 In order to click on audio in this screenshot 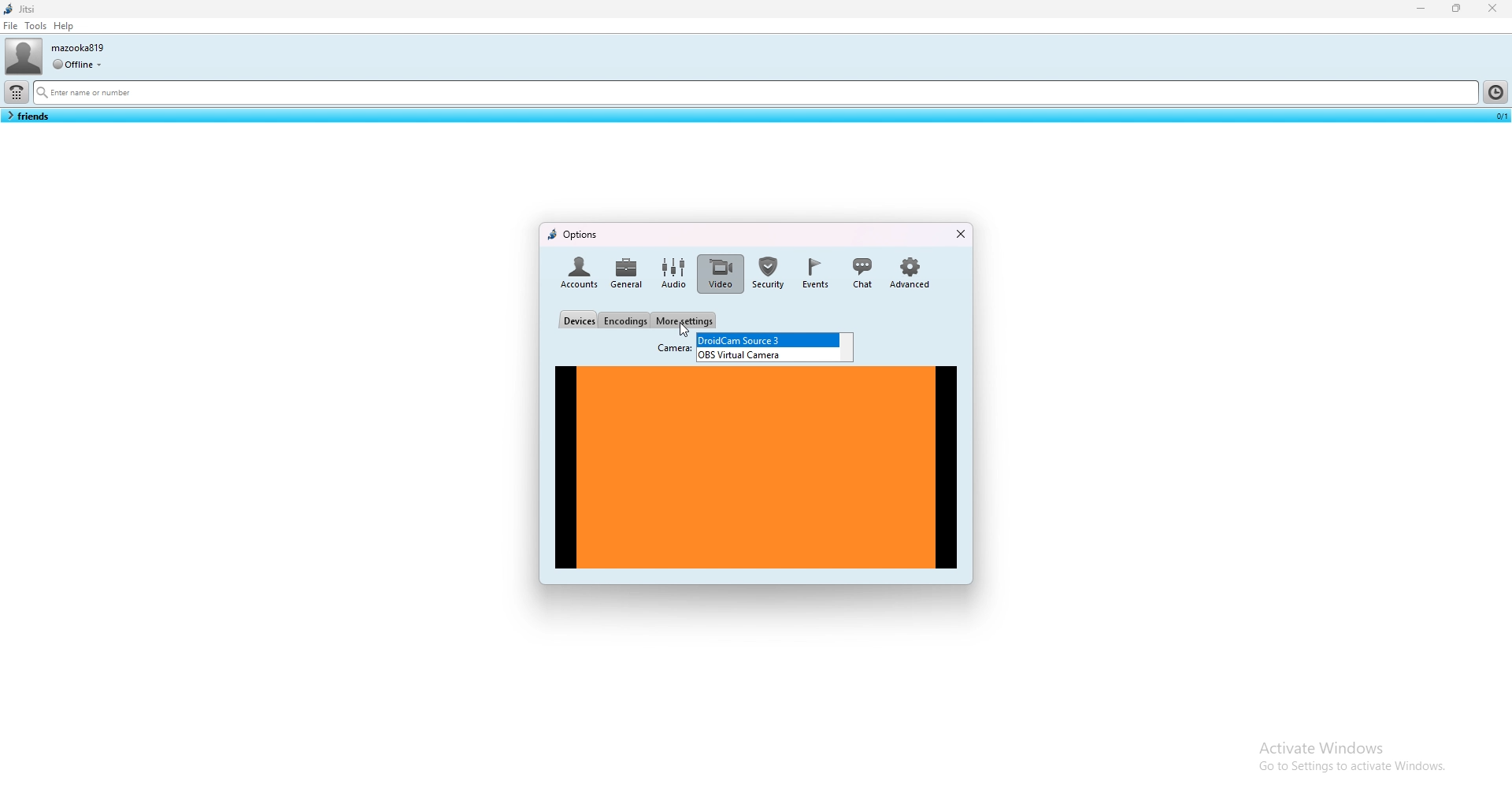, I will do `click(673, 273)`.